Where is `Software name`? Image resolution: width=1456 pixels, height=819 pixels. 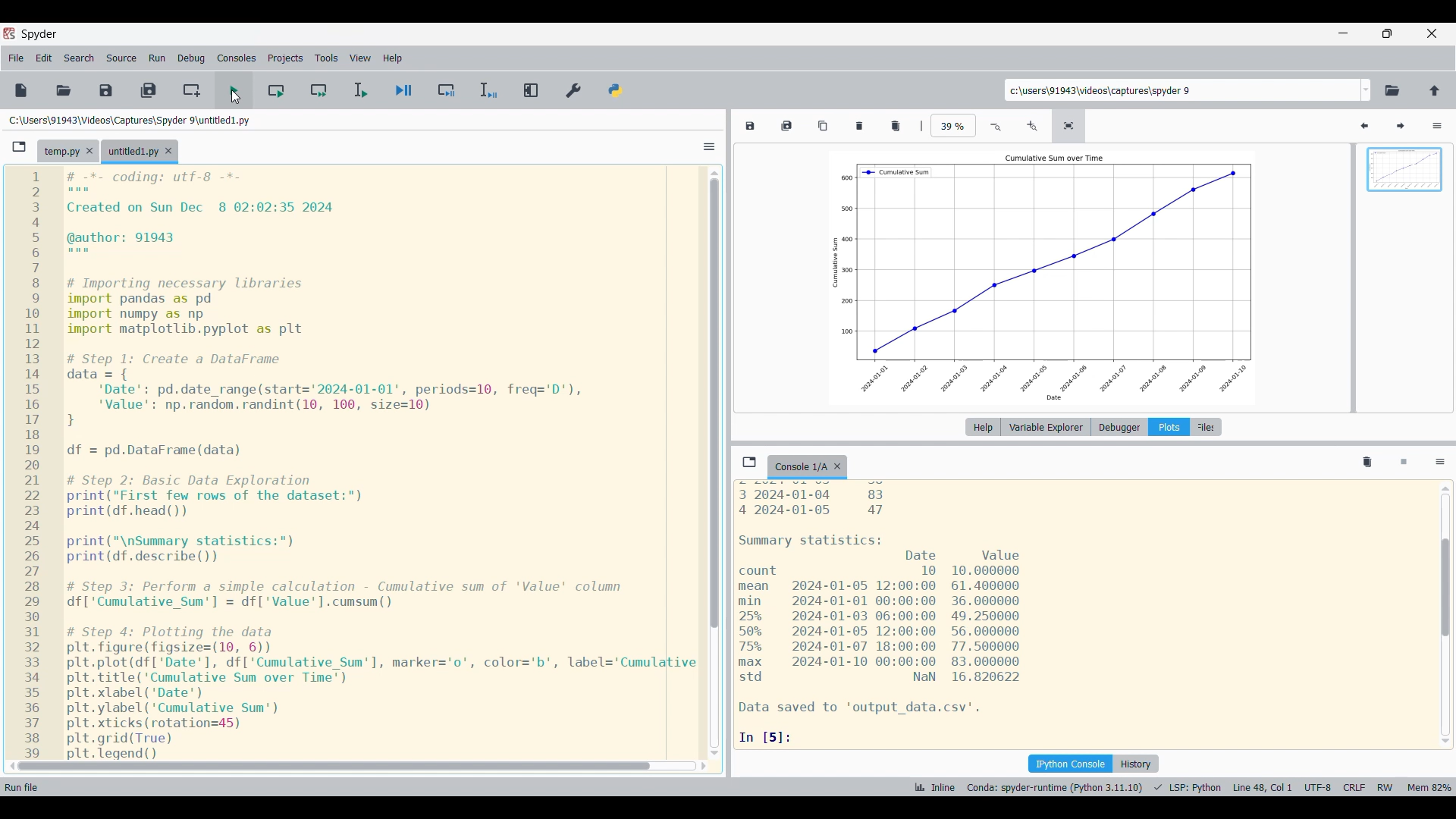
Software name is located at coordinates (39, 35).